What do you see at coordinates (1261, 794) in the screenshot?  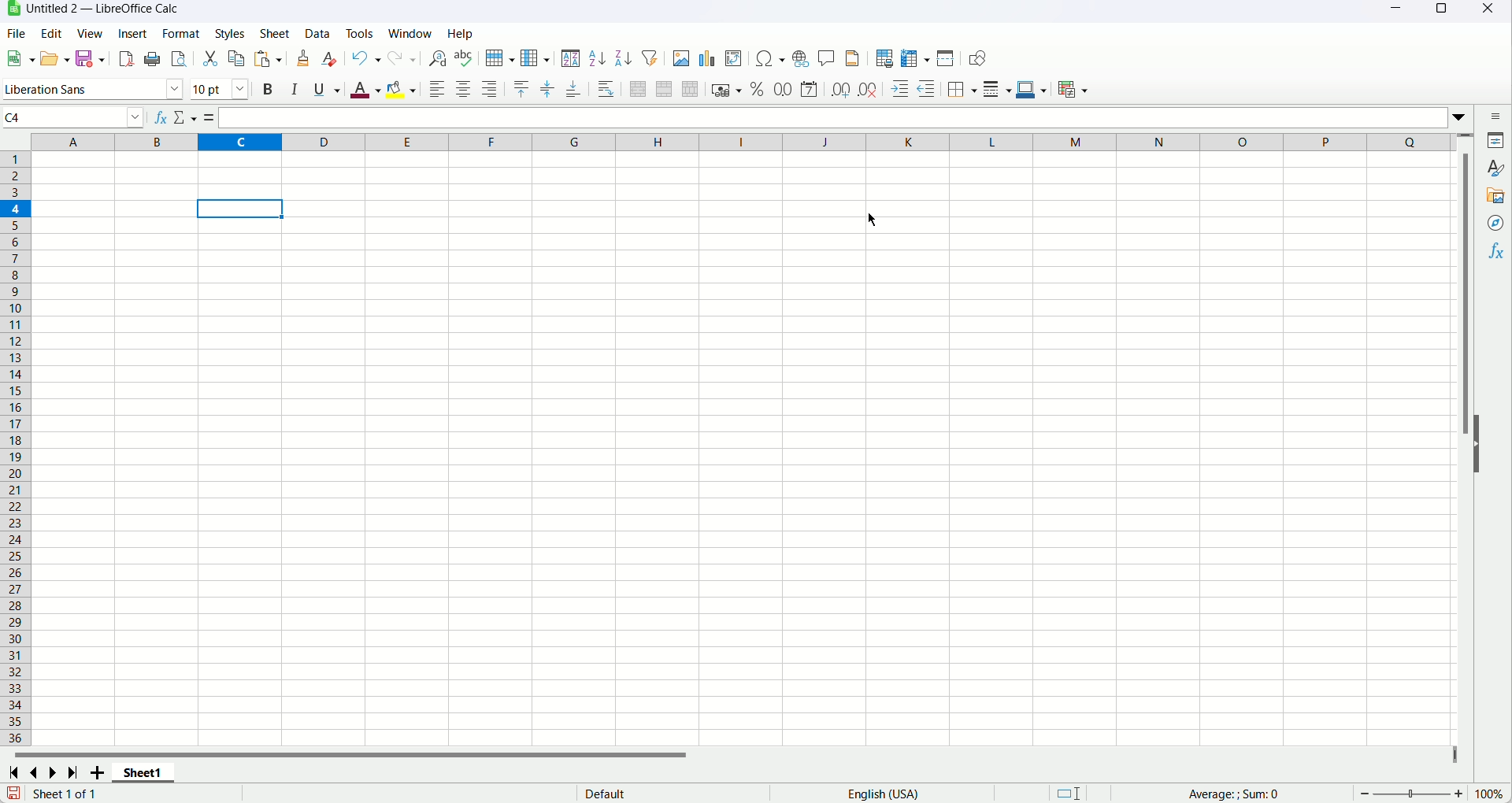 I see `Formula` at bounding box center [1261, 794].